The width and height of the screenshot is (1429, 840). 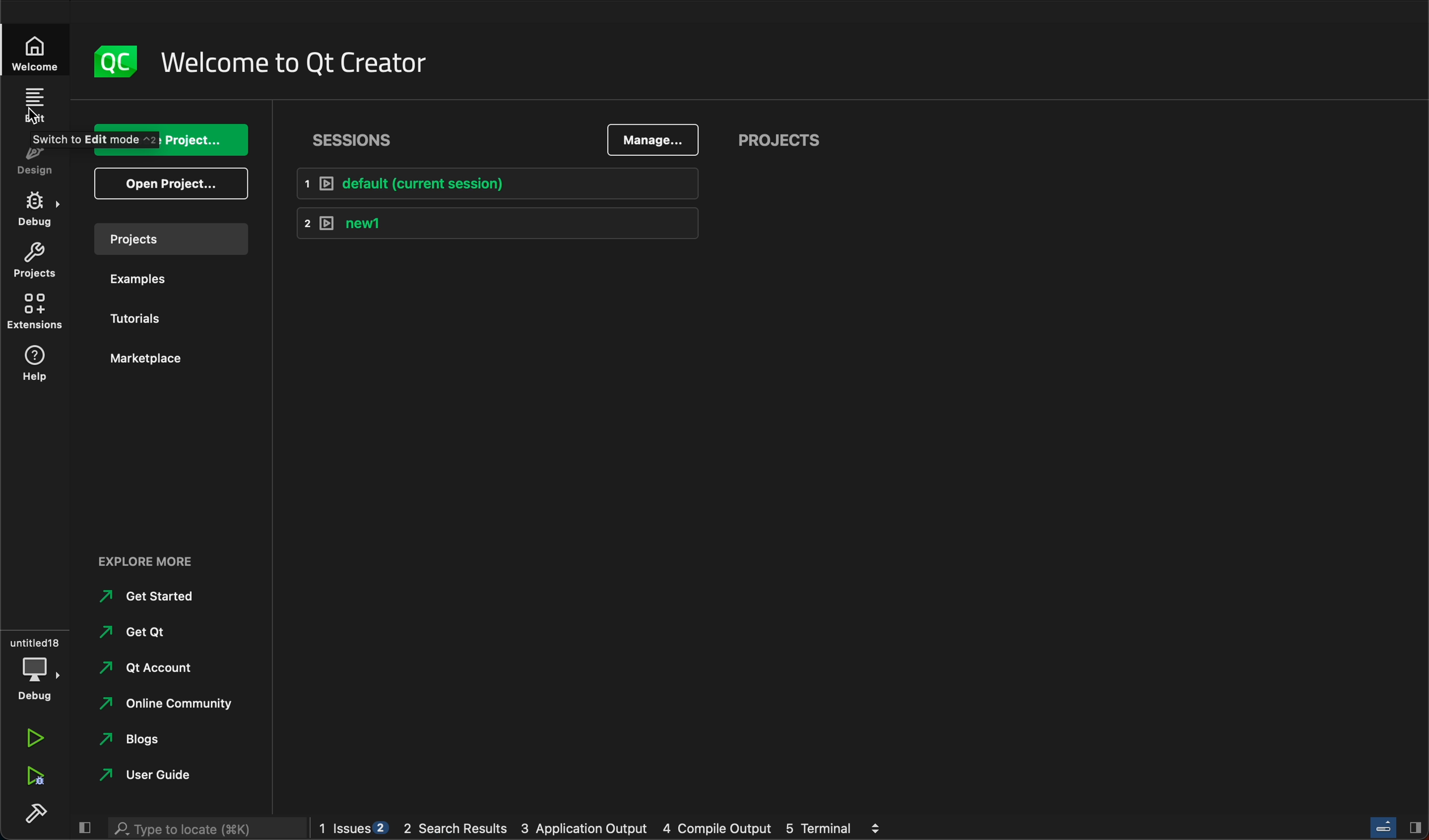 What do you see at coordinates (41, 366) in the screenshot?
I see `help` at bounding box center [41, 366].